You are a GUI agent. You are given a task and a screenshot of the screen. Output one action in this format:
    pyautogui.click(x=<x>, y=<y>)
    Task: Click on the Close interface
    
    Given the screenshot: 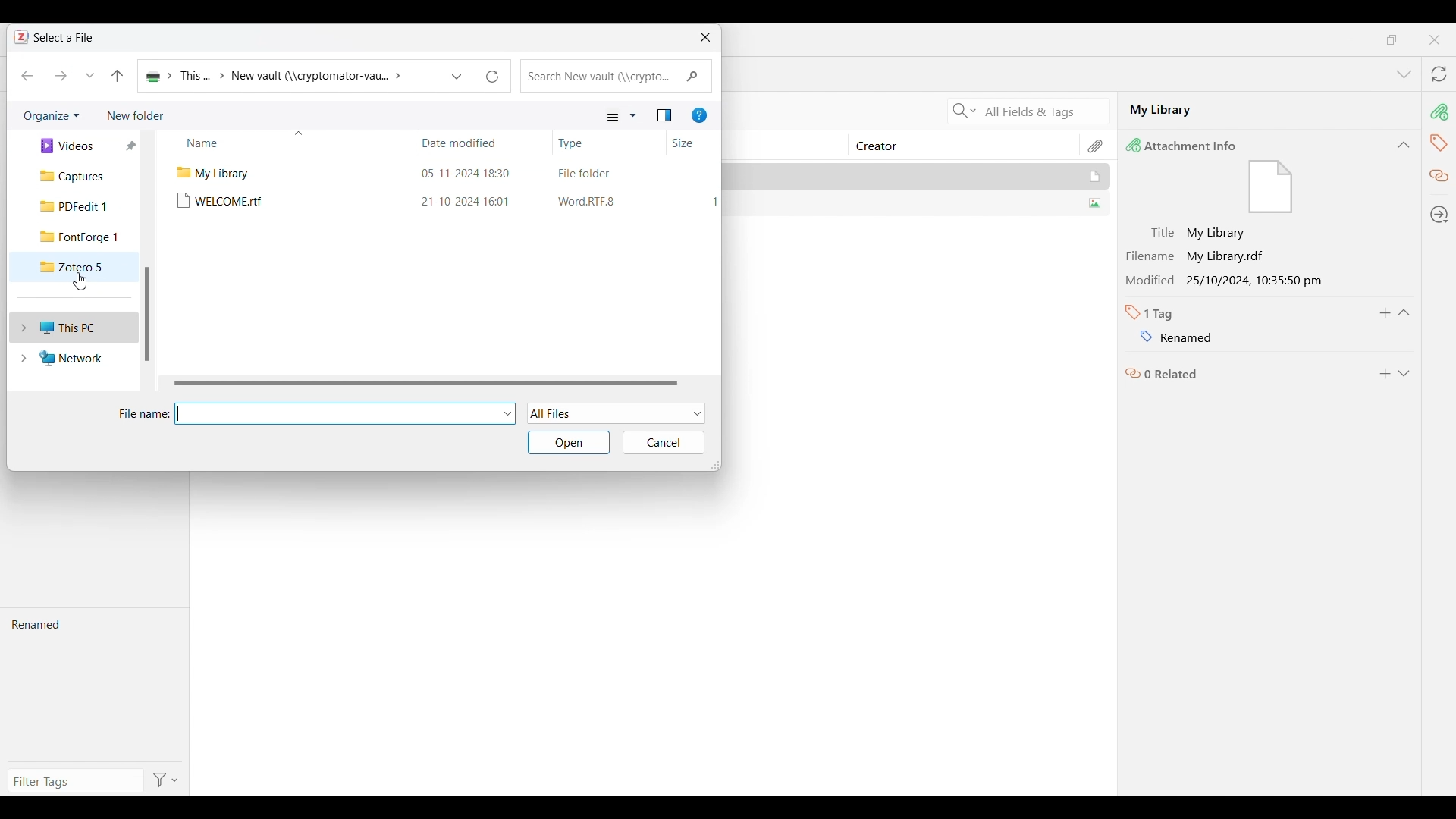 What is the action you would take?
    pyautogui.click(x=1434, y=39)
    